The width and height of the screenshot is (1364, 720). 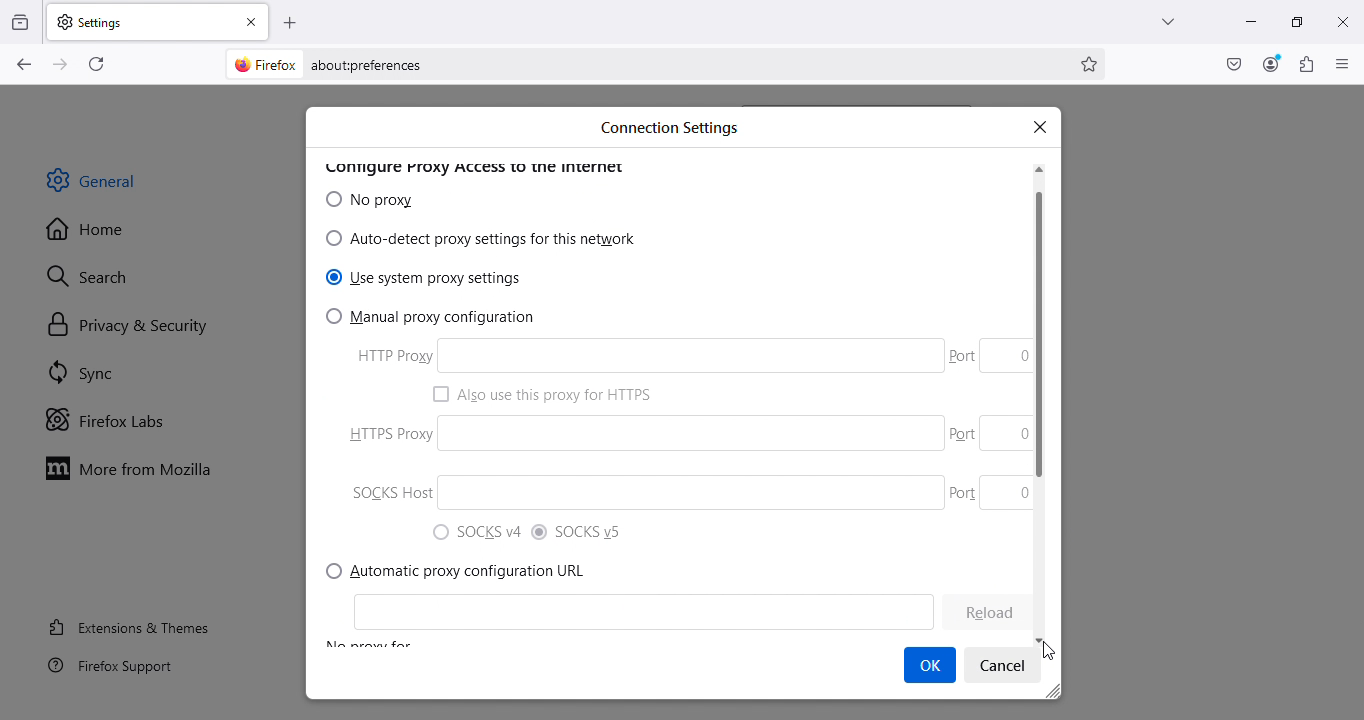 What do you see at coordinates (1162, 21) in the screenshot?
I see `List all tabs` at bounding box center [1162, 21].